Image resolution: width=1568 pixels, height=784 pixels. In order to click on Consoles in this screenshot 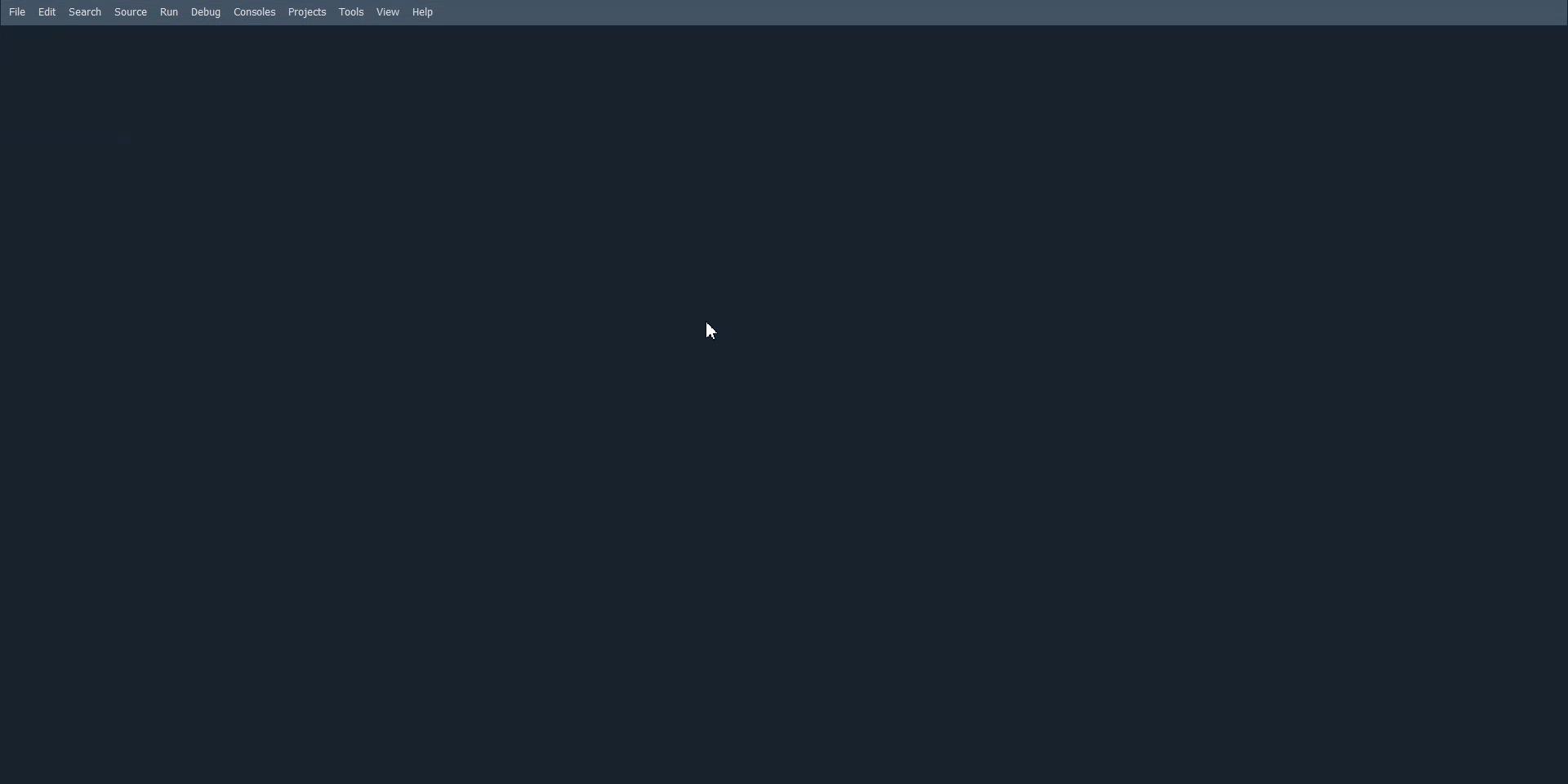, I will do `click(256, 11)`.